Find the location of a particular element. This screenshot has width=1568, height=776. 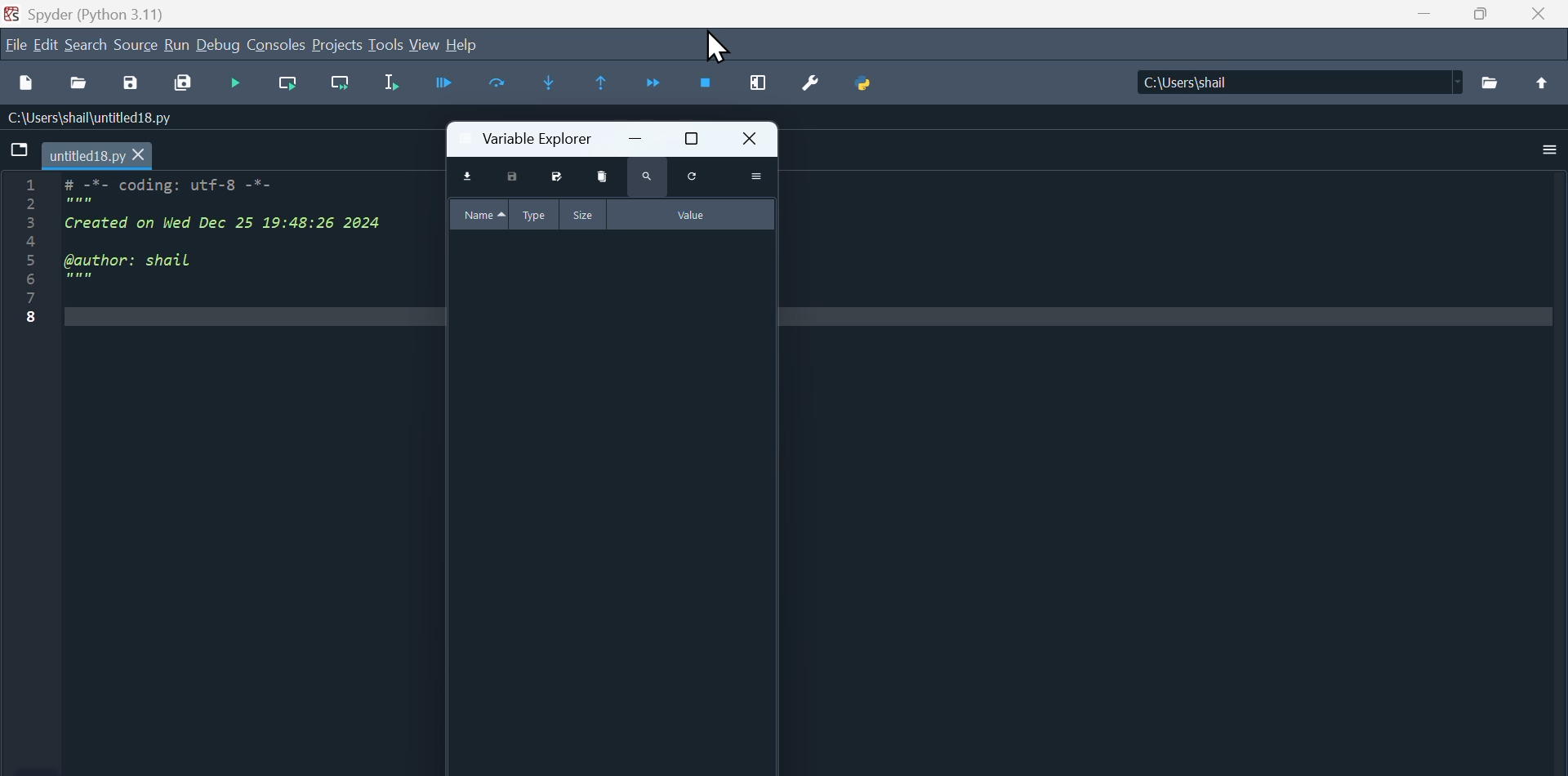

Stop Debugging is located at coordinates (708, 88).